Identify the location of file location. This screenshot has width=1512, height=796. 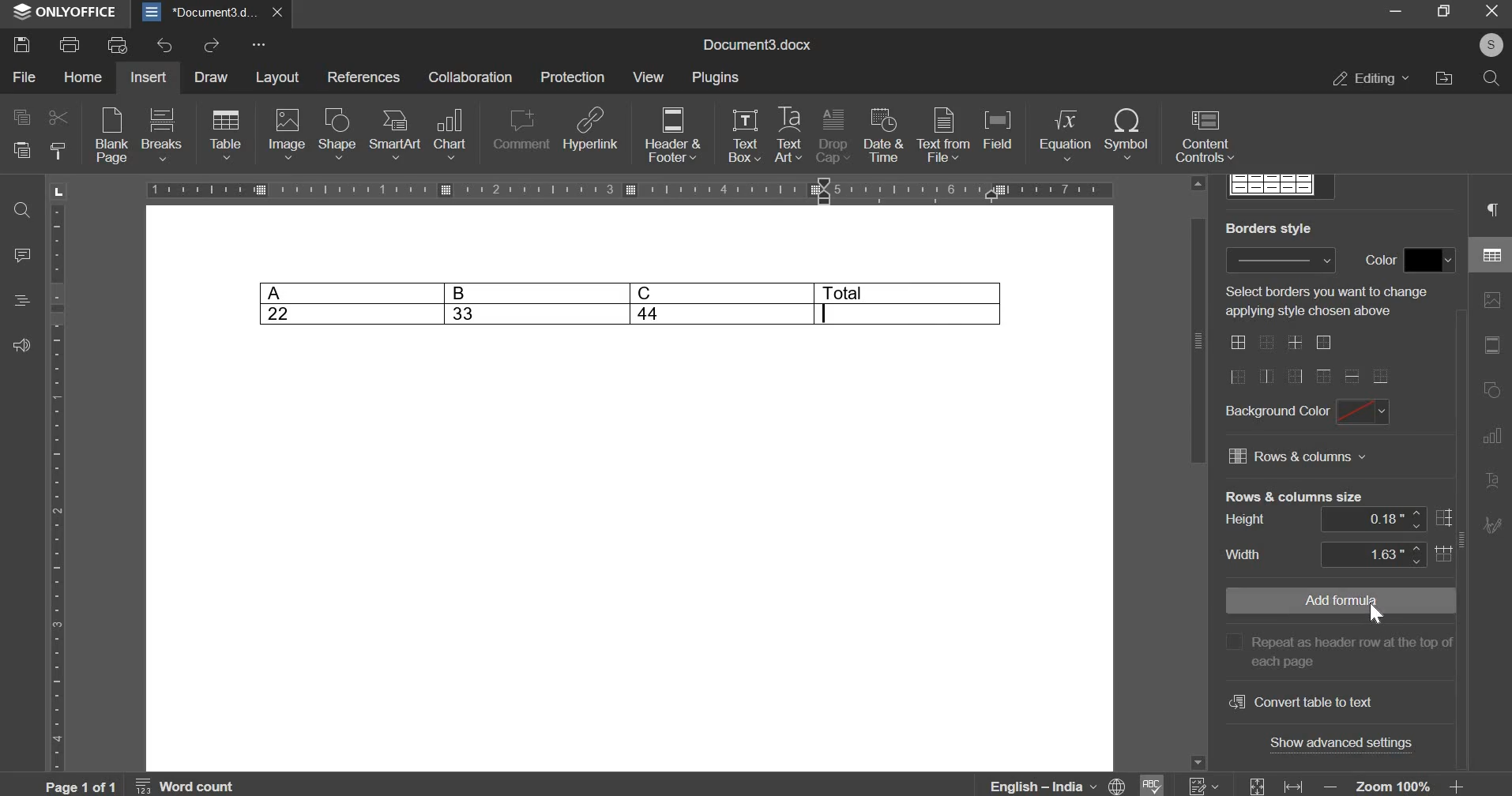
(1448, 79).